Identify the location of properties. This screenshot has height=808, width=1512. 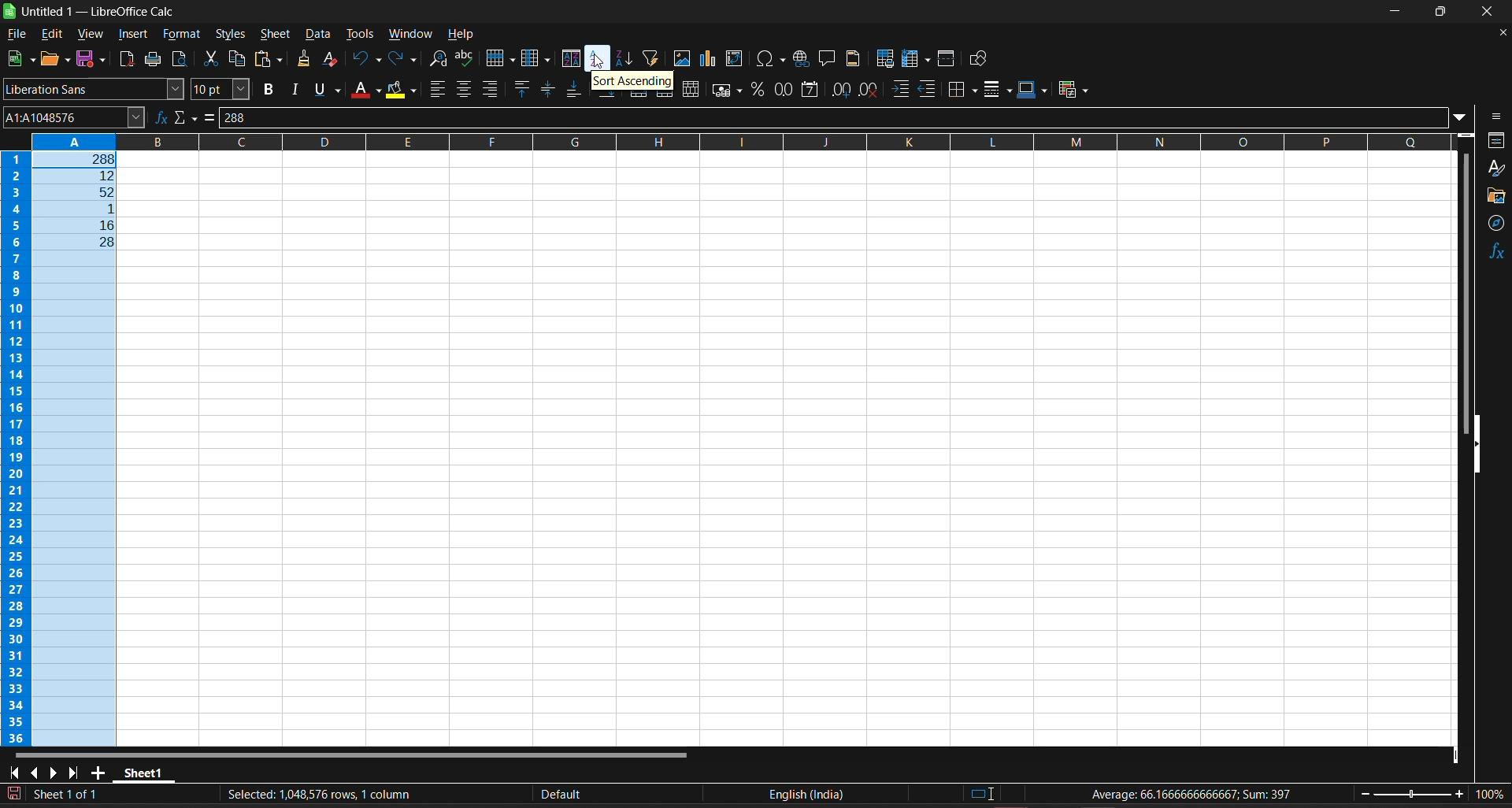
(1496, 139).